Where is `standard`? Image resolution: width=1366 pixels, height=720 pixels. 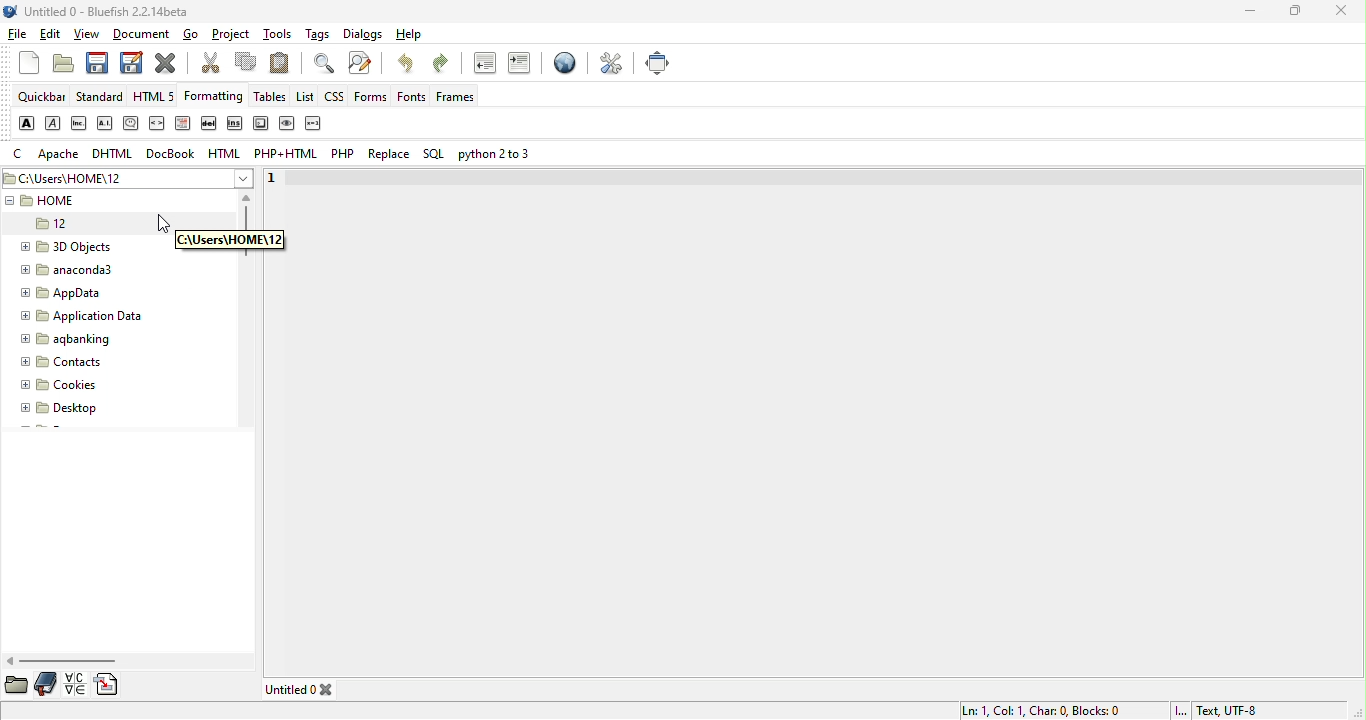
standard is located at coordinates (99, 98).